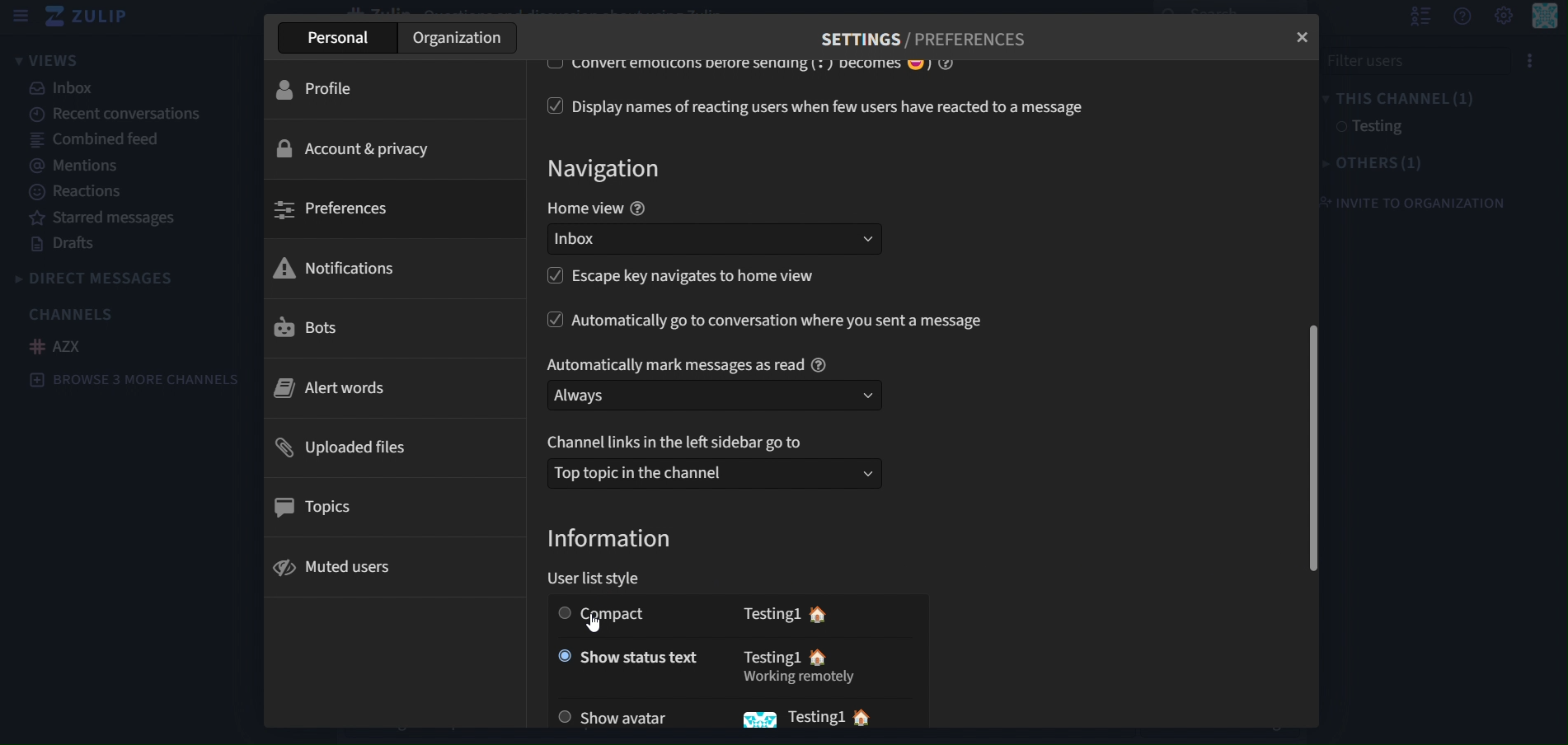 Image resolution: width=1568 pixels, height=745 pixels. Describe the element at coordinates (101, 217) in the screenshot. I see `starred messages` at that location.